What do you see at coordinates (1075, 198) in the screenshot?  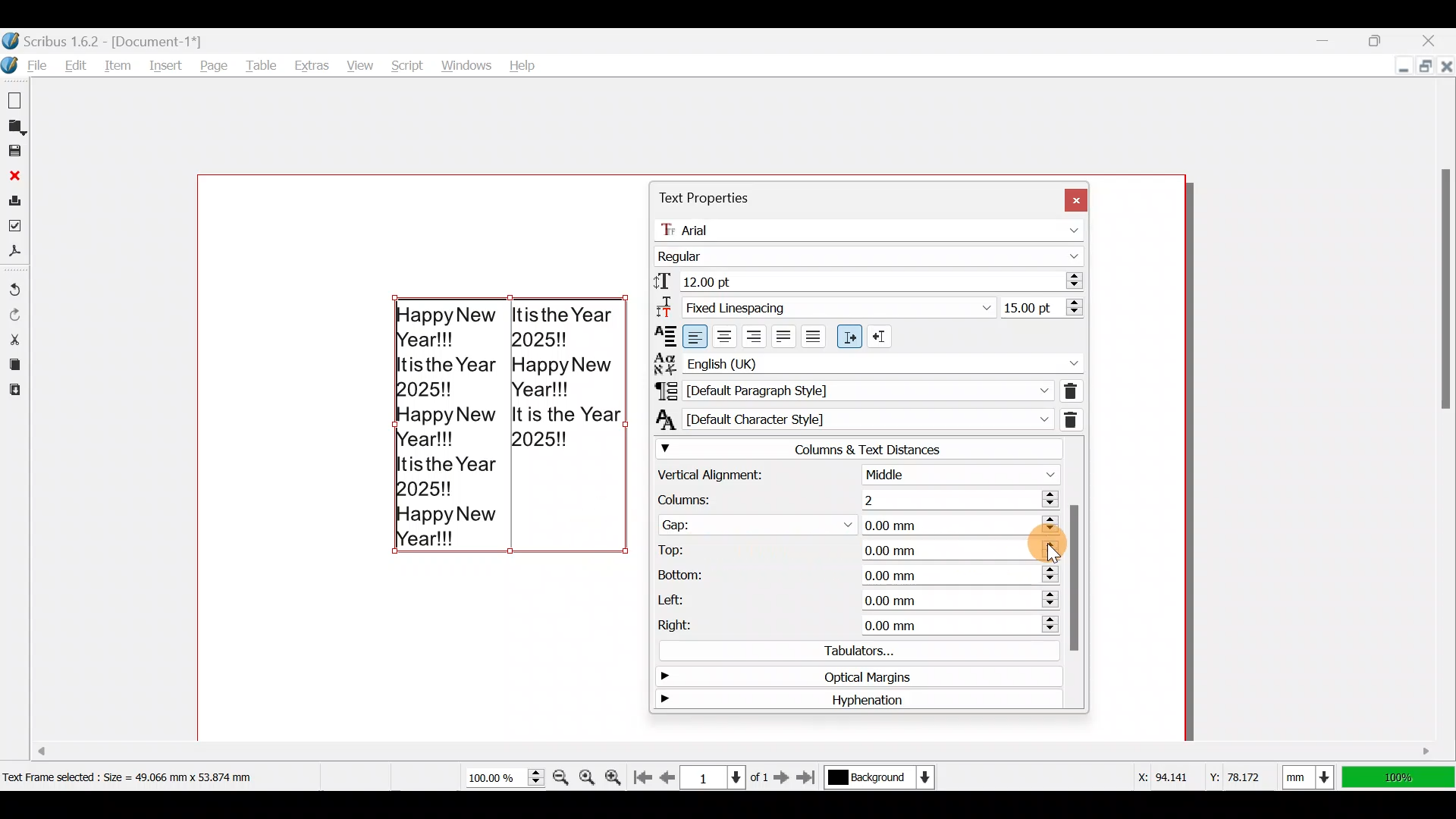 I see `Close` at bounding box center [1075, 198].